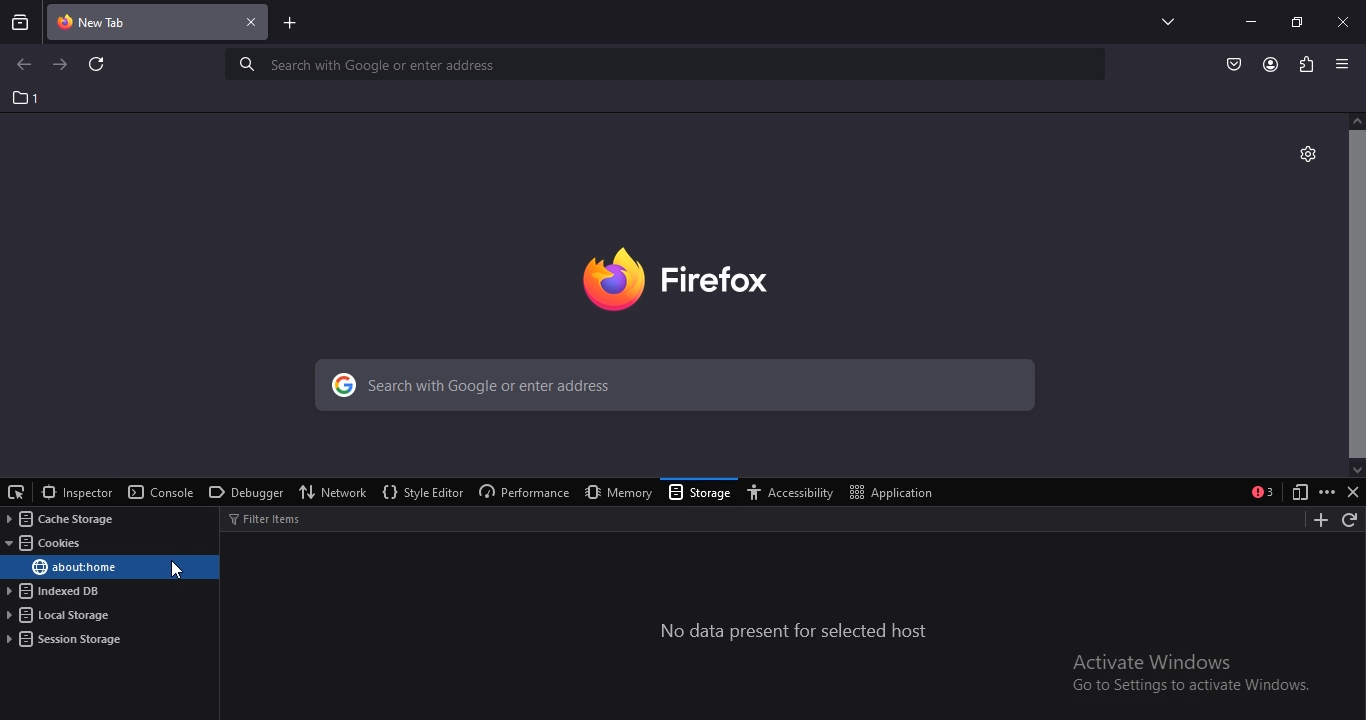 The width and height of the screenshot is (1366, 720). Describe the element at coordinates (73, 567) in the screenshot. I see `about:home` at that location.